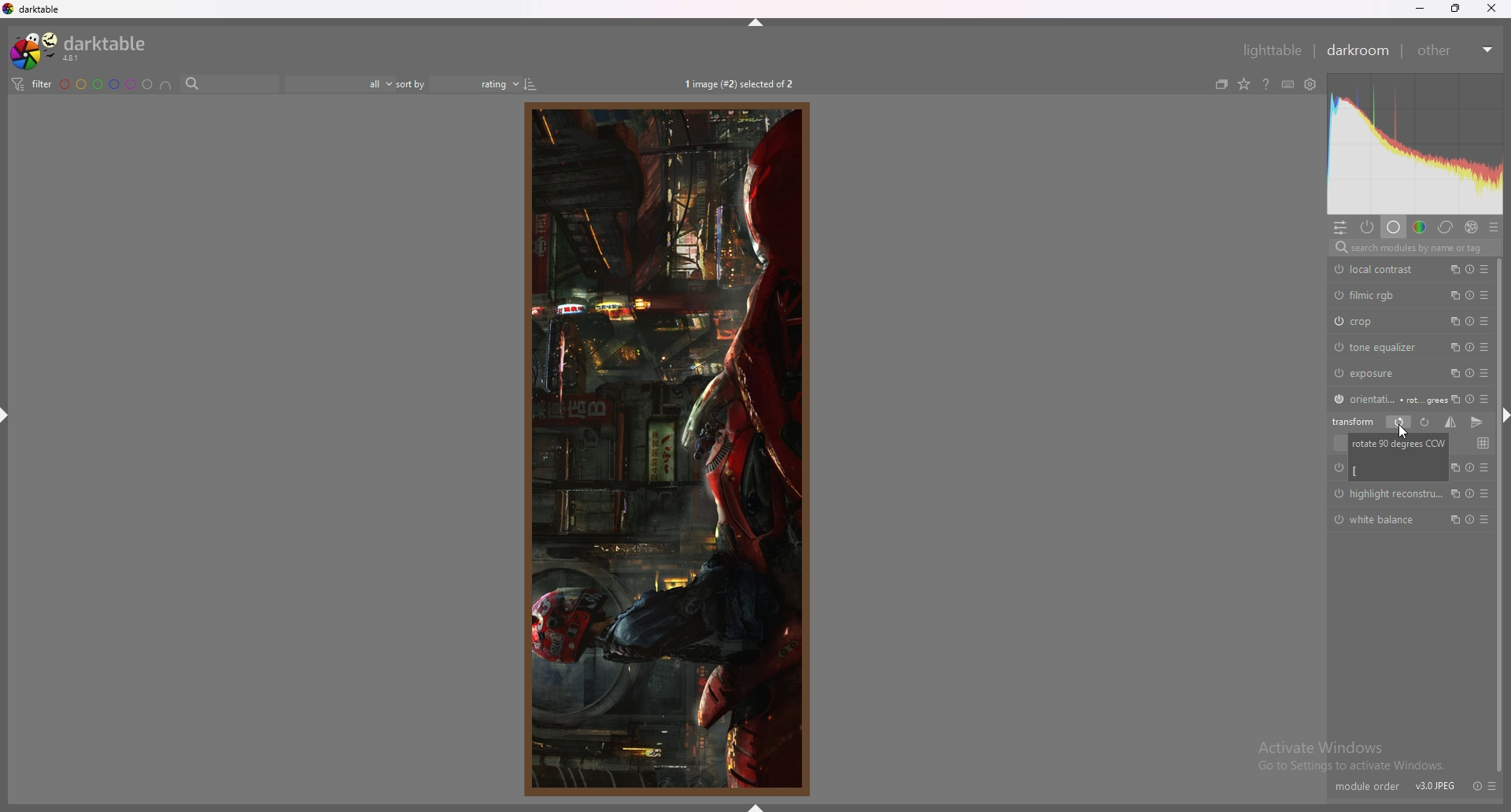 This screenshot has height=812, width=1511. I want to click on filmic rgb, so click(1365, 295).